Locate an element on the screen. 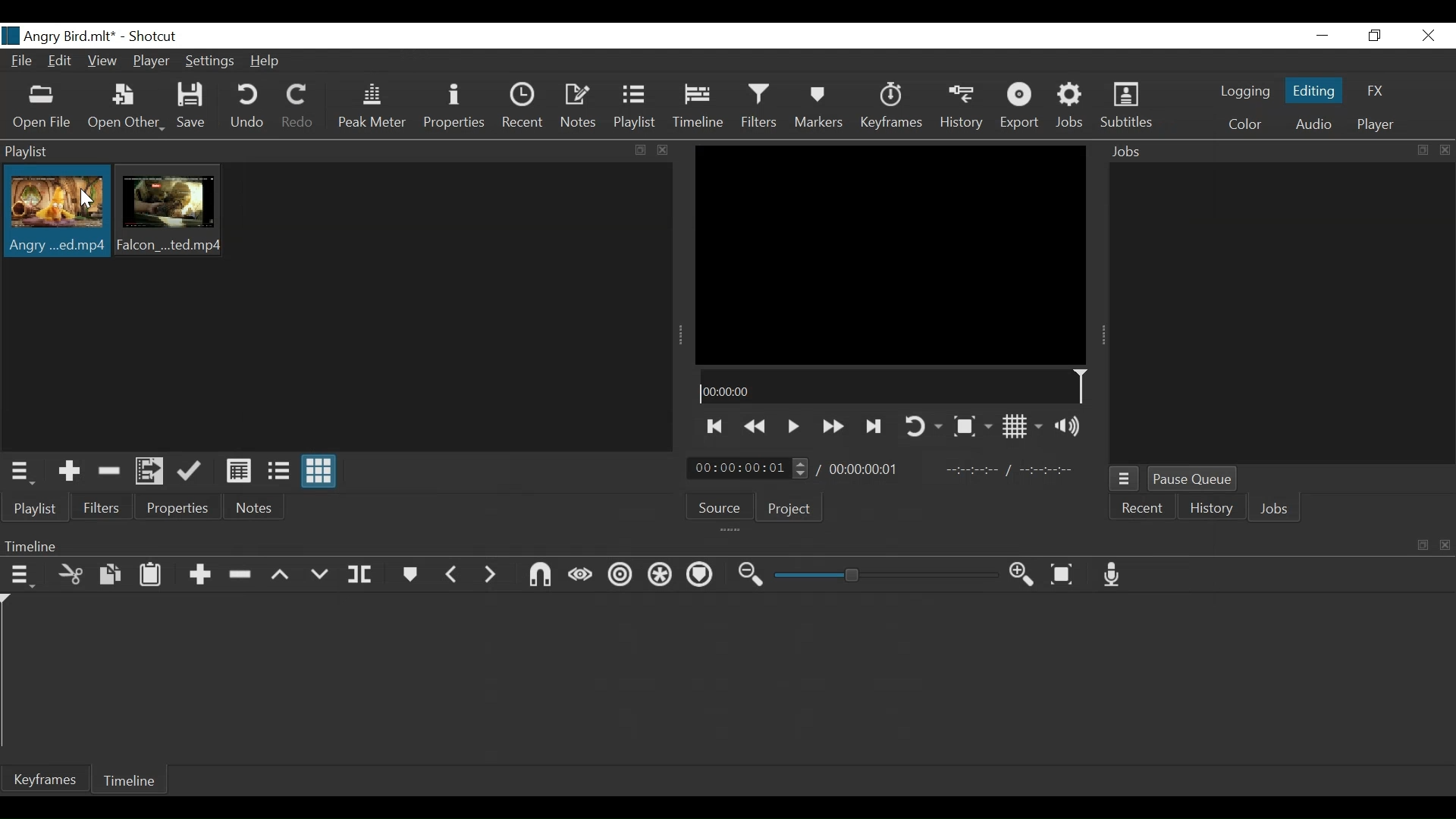 This screenshot has width=1456, height=819. Zoom slider is located at coordinates (886, 575).